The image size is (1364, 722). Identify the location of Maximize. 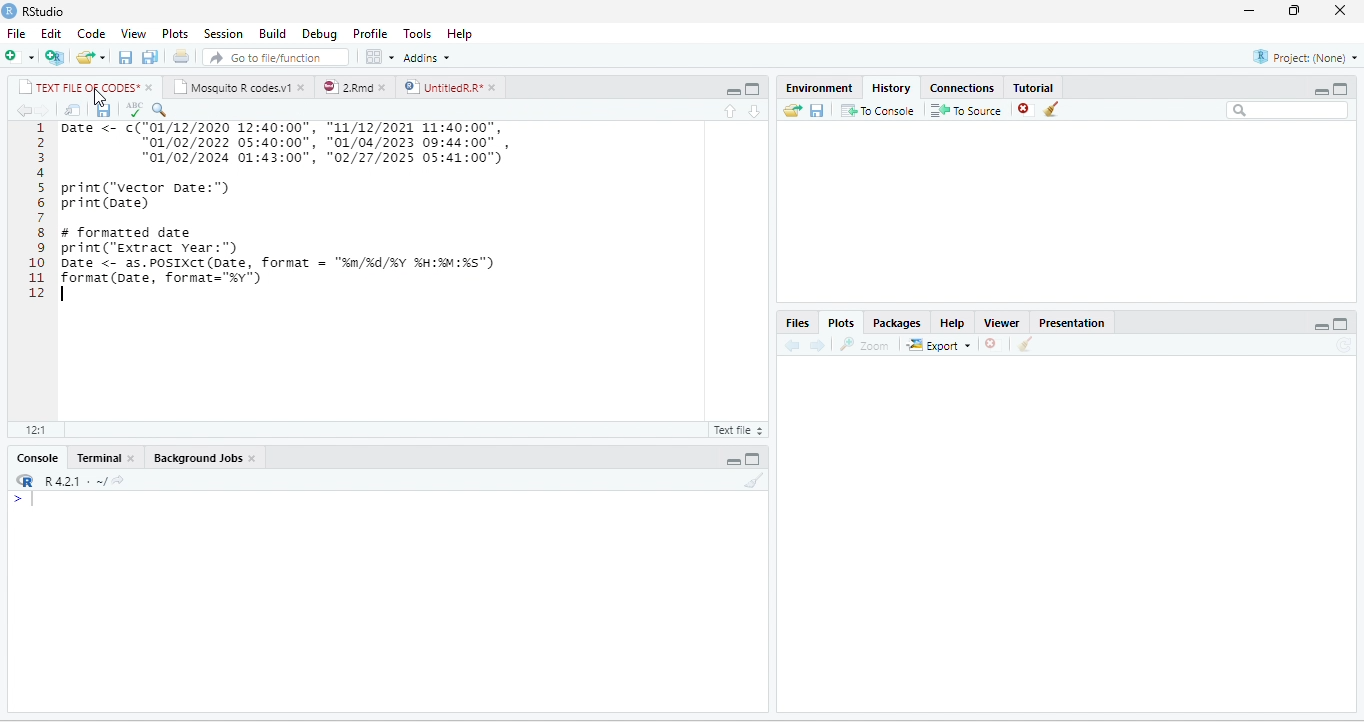
(1340, 89).